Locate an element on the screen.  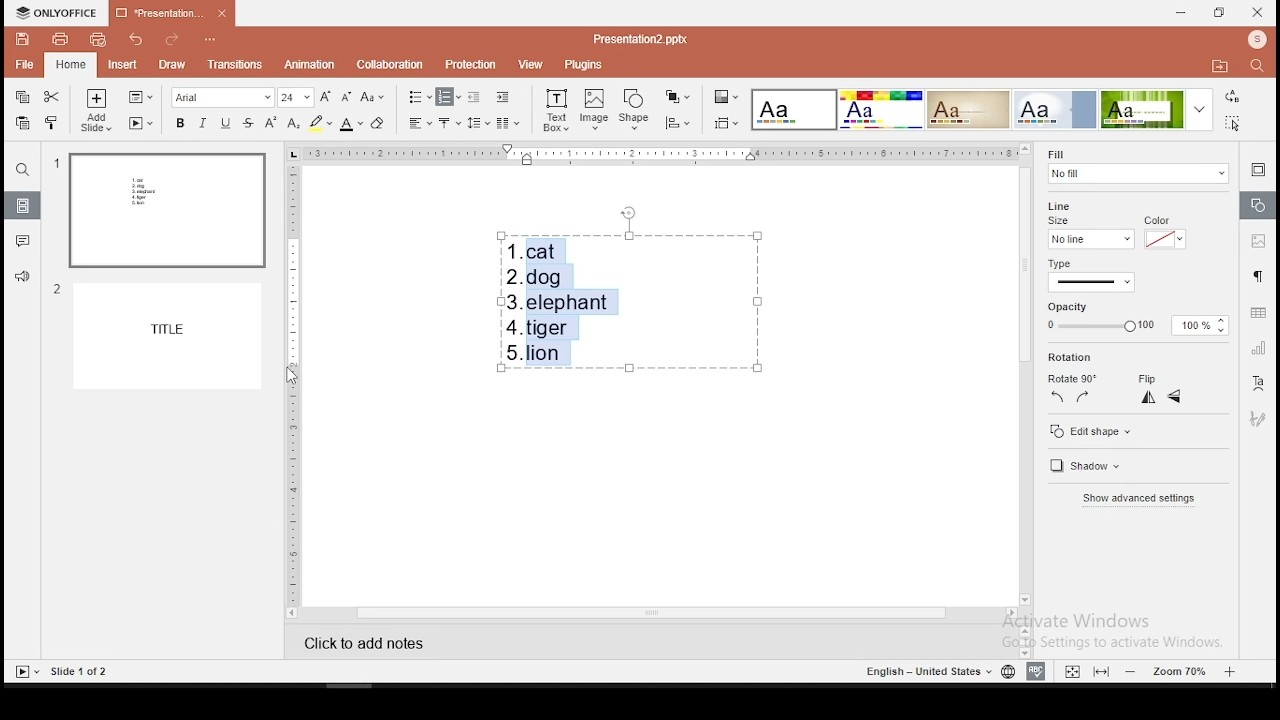
slide 1 of 2 is located at coordinates (76, 673).